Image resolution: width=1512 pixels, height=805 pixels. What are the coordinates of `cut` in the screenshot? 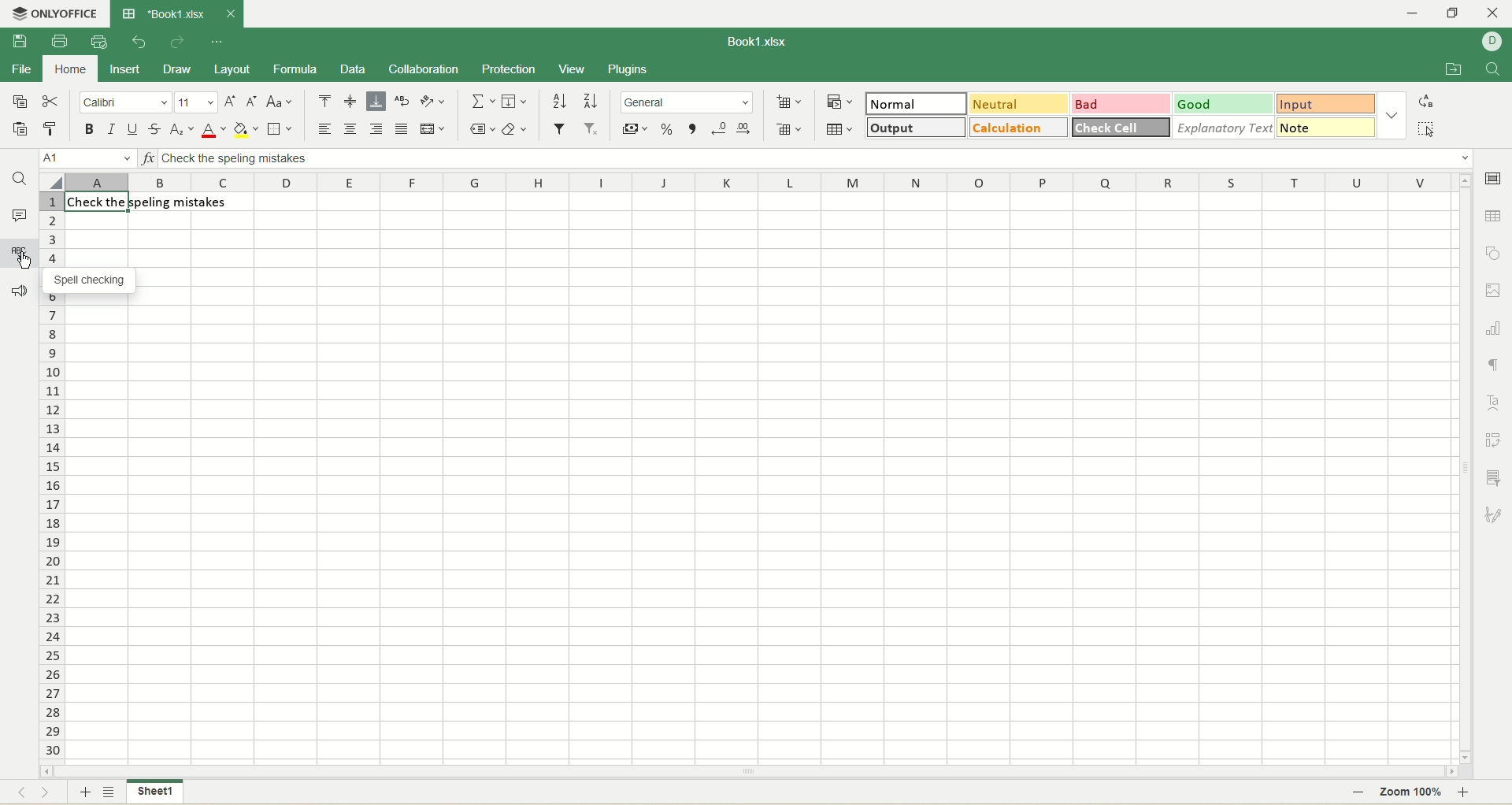 It's located at (48, 102).